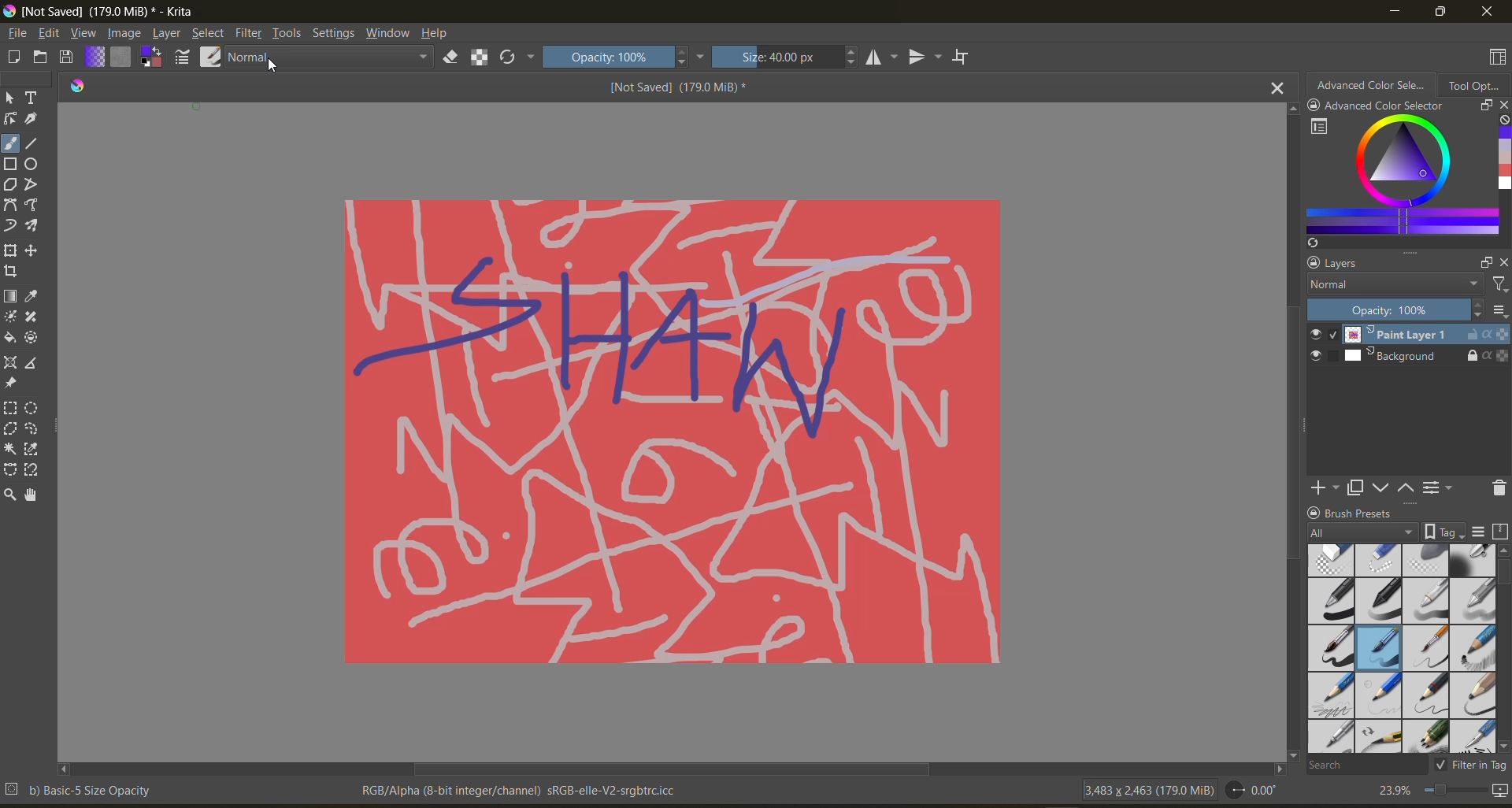 This screenshot has width=1512, height=808. What do you see at coordinates (1497, 487) in the screenshot?
I see `delete mask` at bounding box center [1497, 487].